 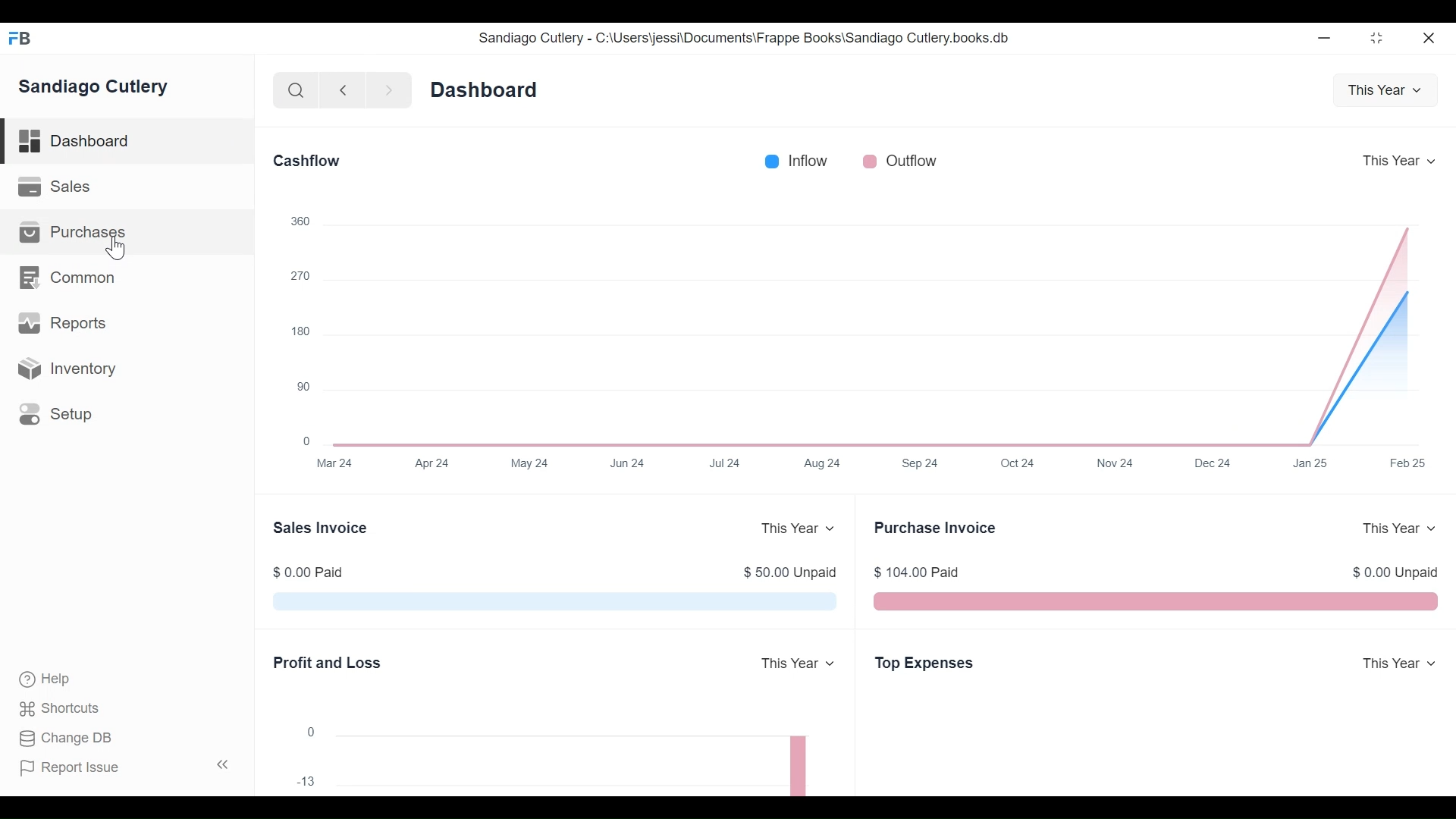 I want to click on Dec 24, so click(x=1217, y=463).